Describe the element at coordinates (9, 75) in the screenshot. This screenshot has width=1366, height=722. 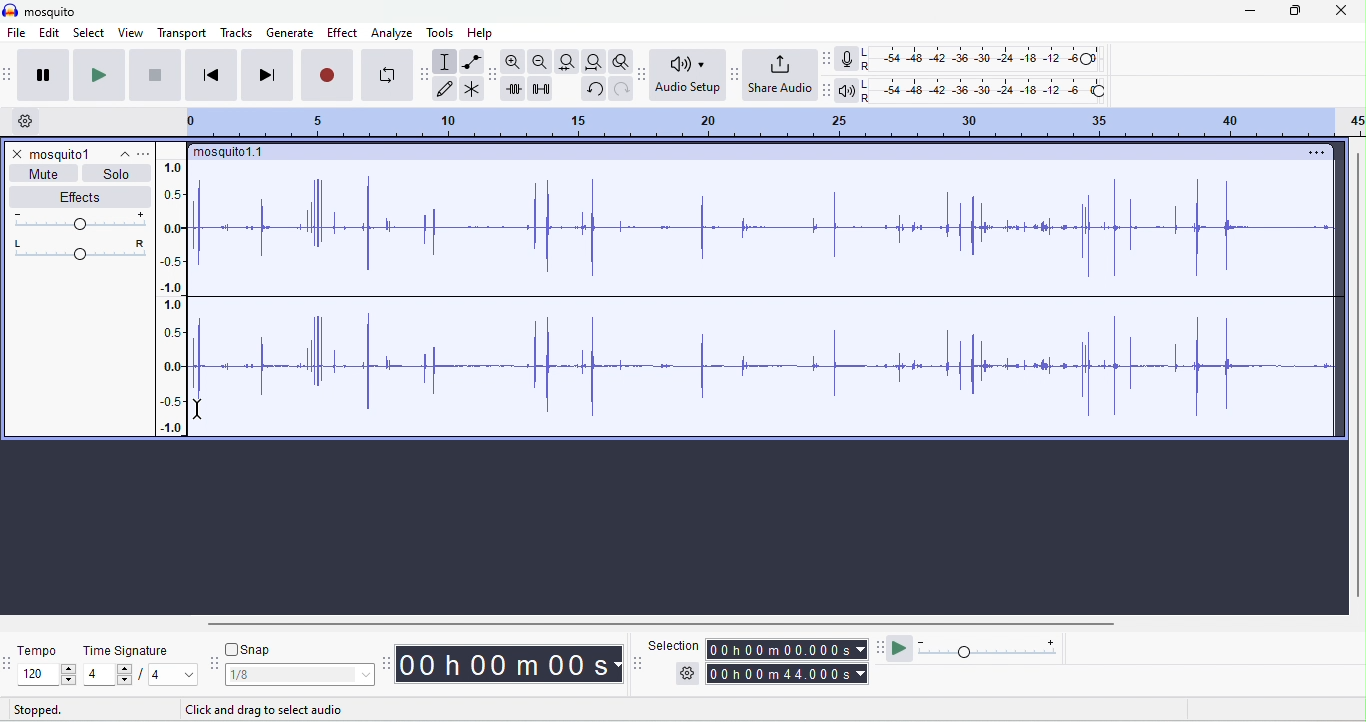
I see `audacity audio transport tool bar` at that location.